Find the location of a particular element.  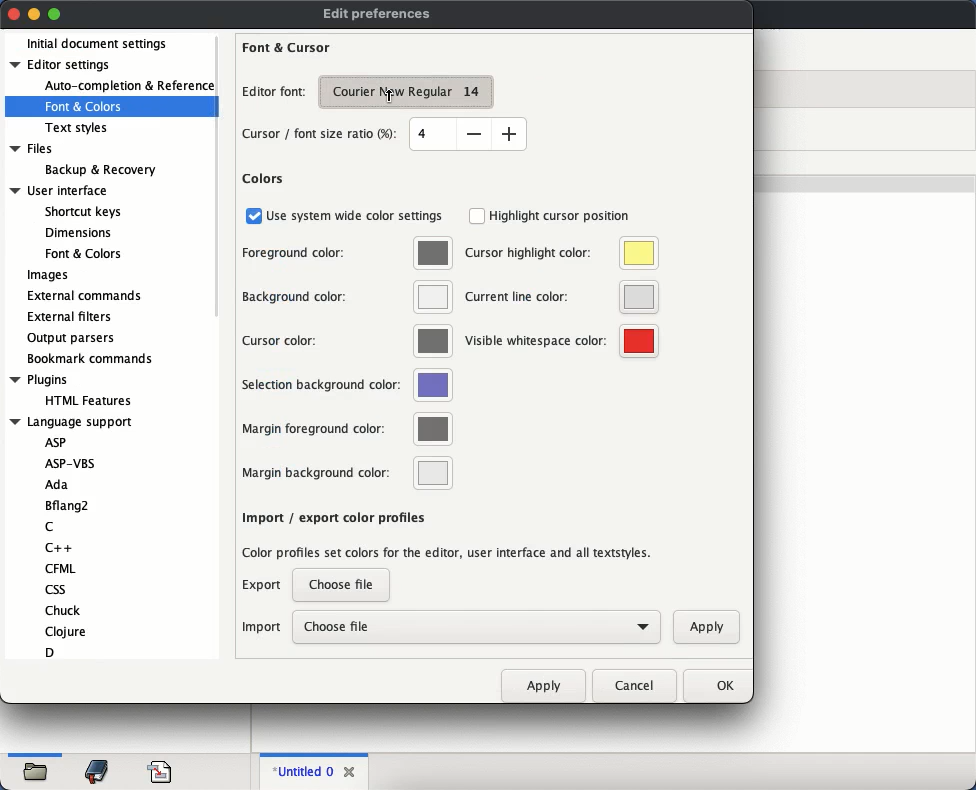

choose file is located at coordinates (341, 585).